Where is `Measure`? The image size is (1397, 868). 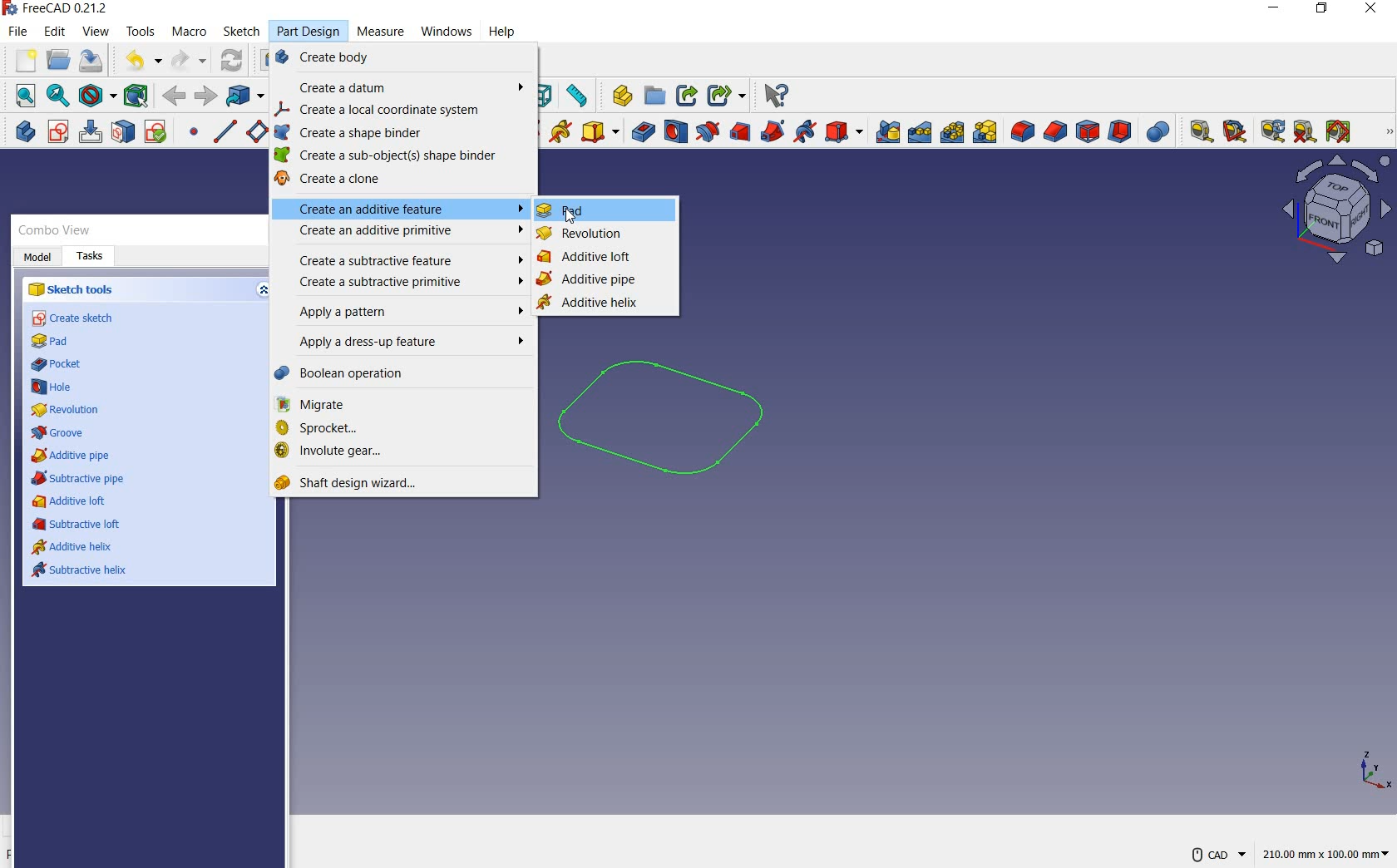
Measure is located at coordinates (379, 29).